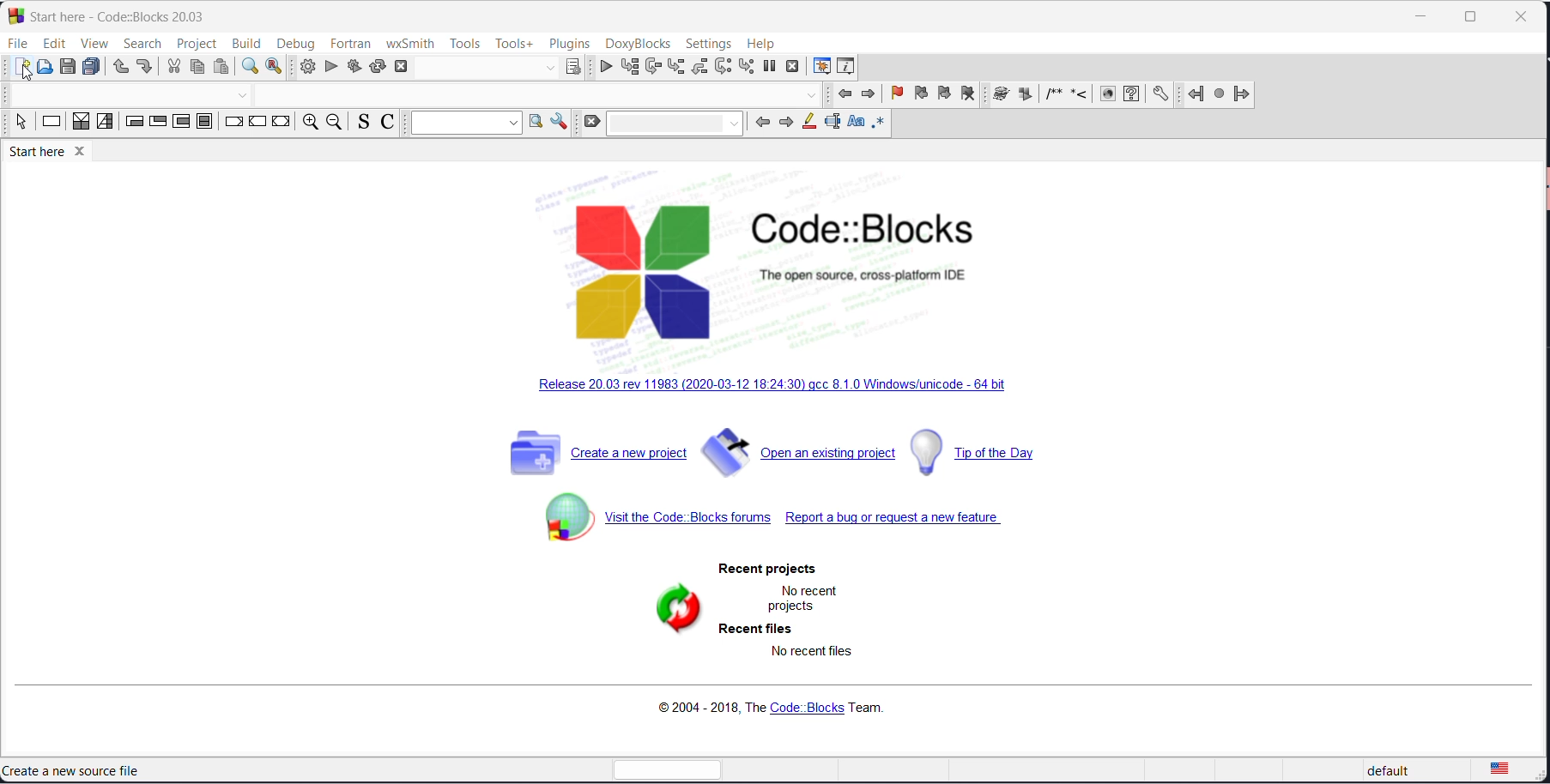 The image size is (1550, 784). Describe the element at coordinates (1026, 96) in the screenshot. I see `Extract` at that location.